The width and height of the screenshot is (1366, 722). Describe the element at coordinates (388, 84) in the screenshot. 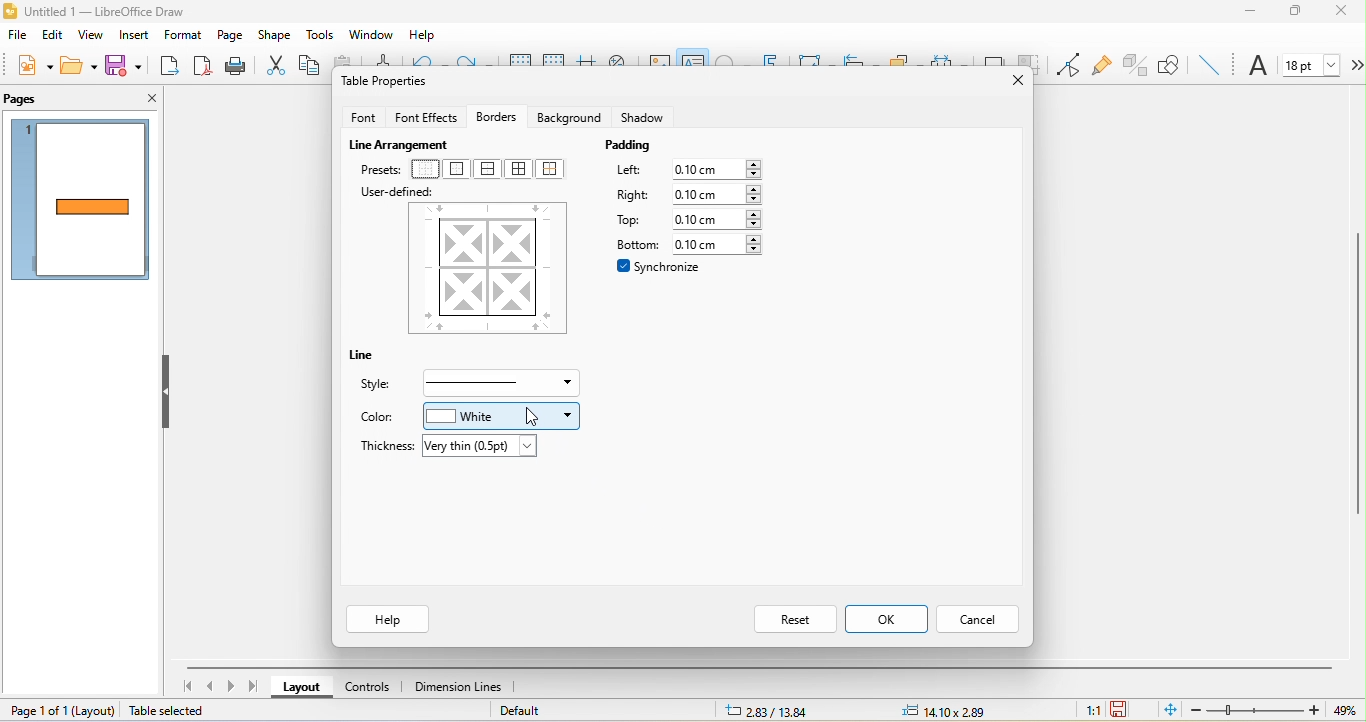

I see `table properties` at that location.